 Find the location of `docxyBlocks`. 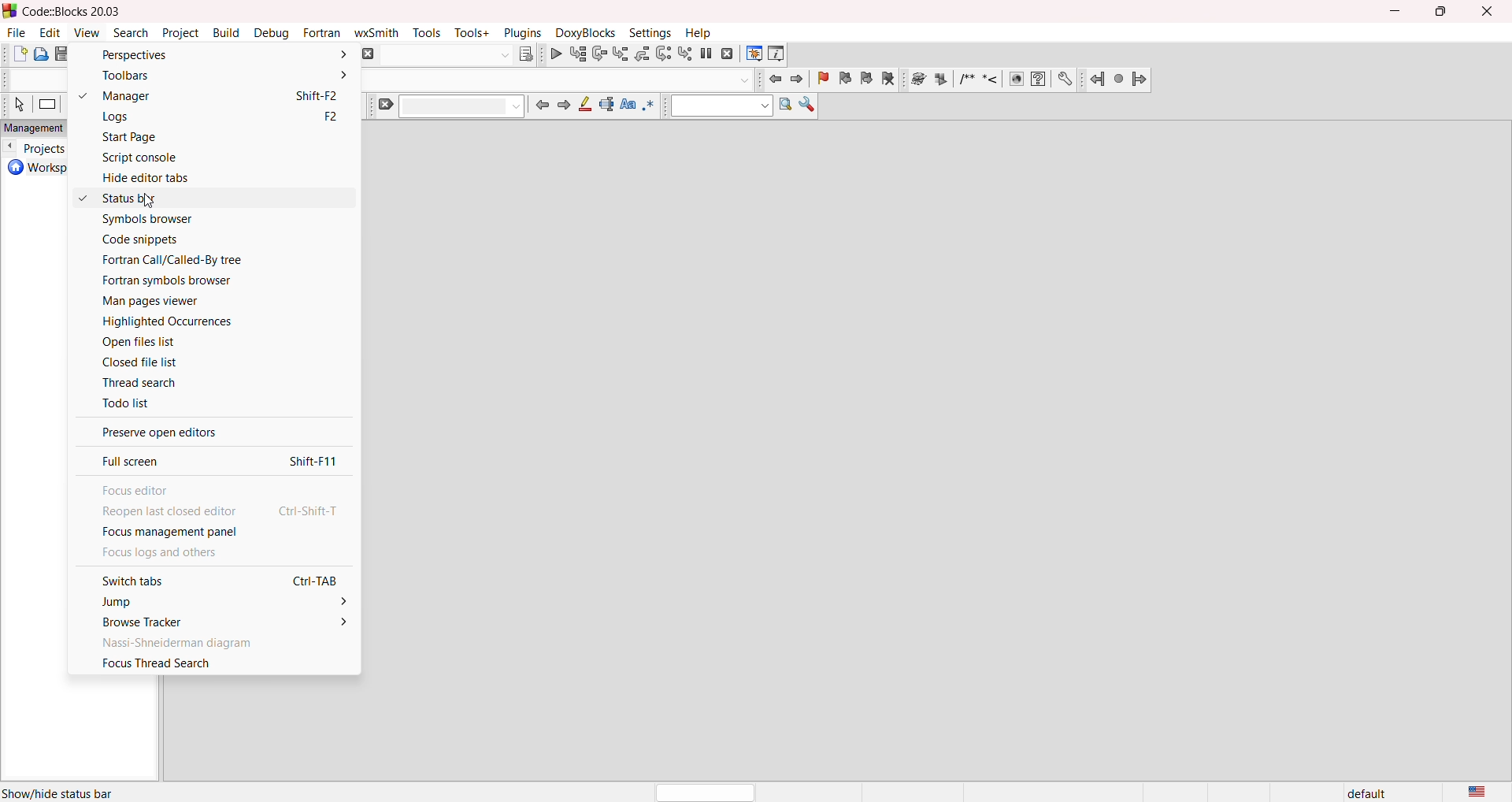

docxyBlocks is located at coordinates (585, 33).